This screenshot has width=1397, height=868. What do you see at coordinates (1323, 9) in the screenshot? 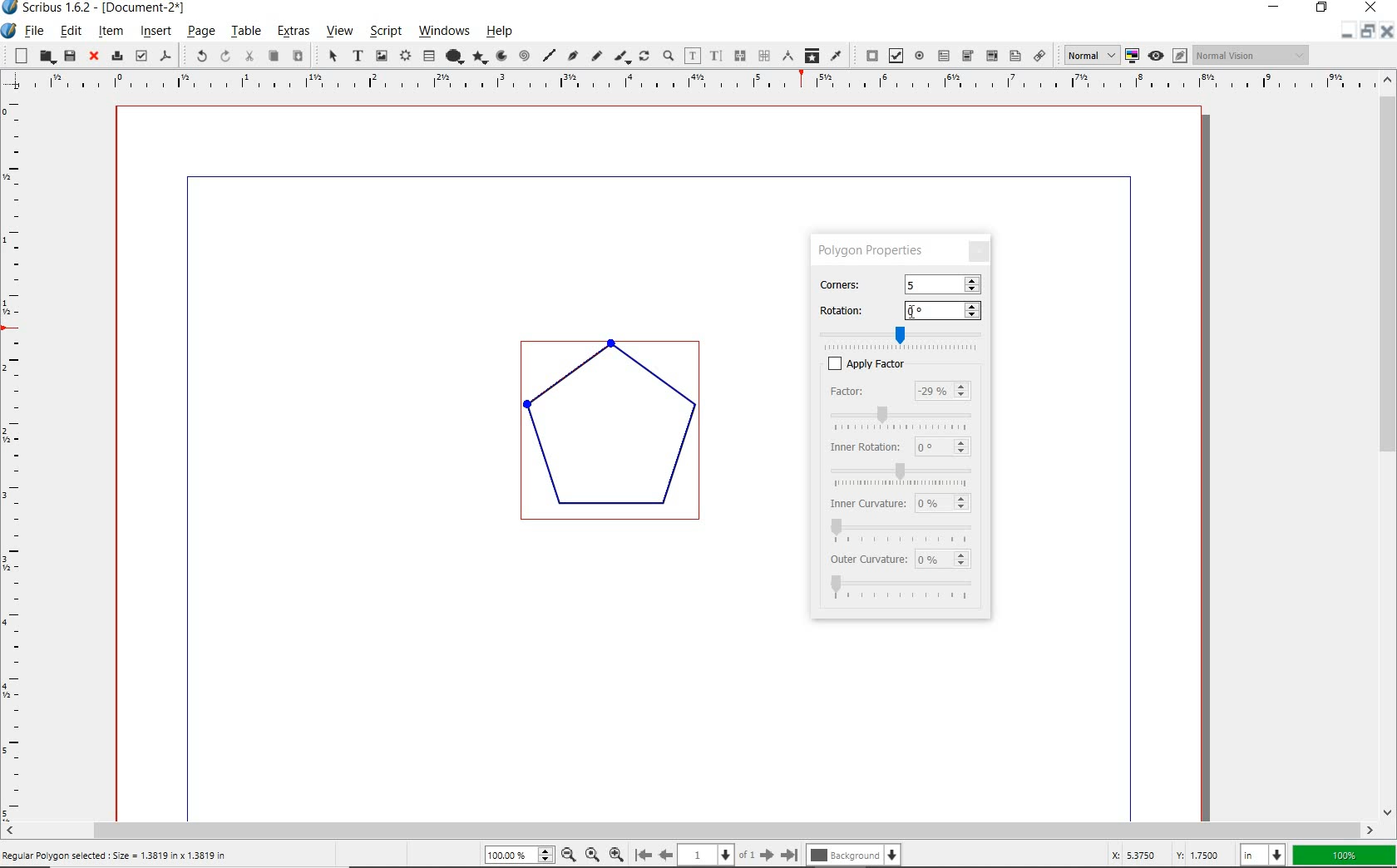
I see `restore` at bounding box center [1323, 9].